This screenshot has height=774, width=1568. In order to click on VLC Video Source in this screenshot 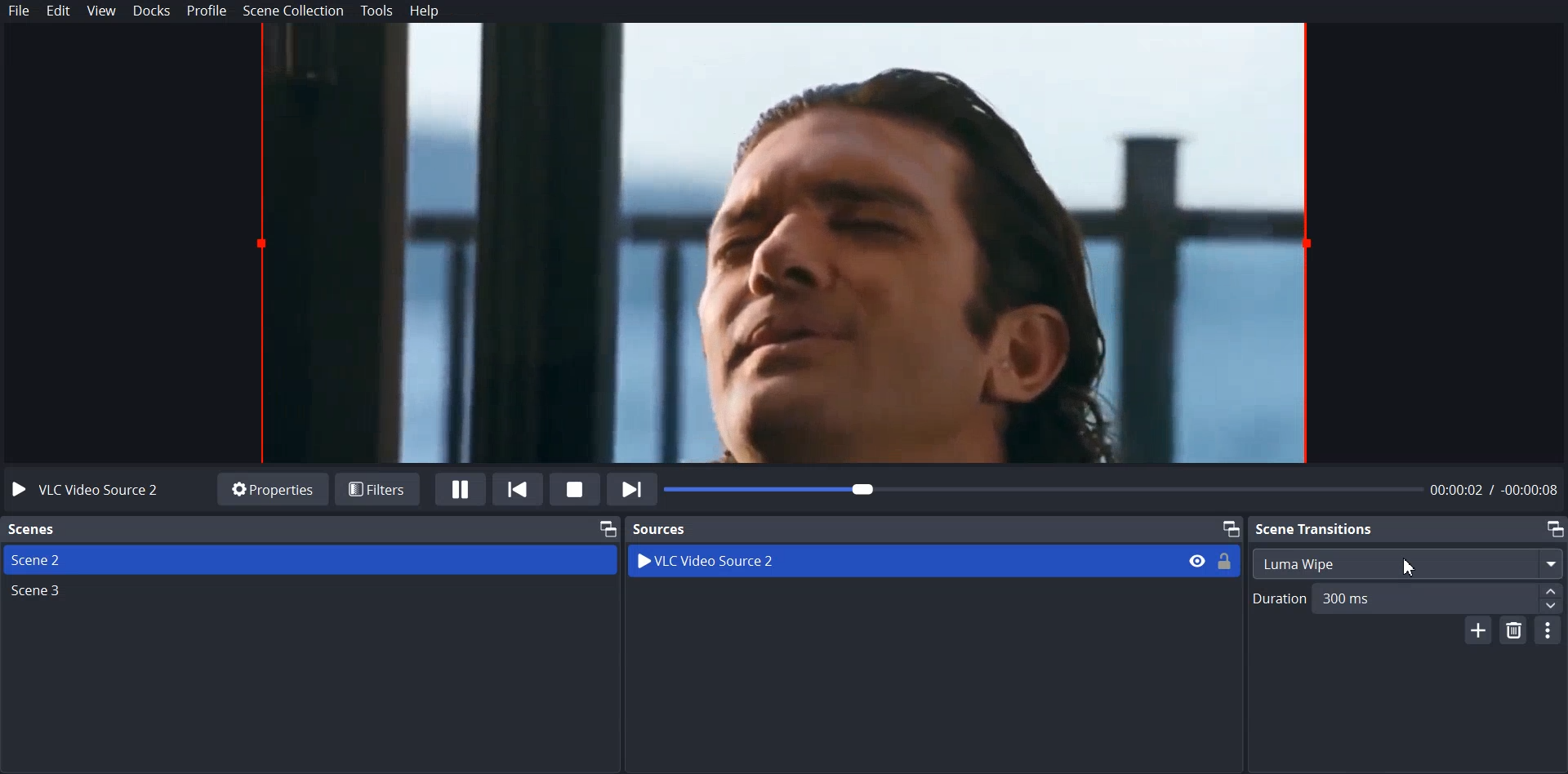, I will do `click(872, 561)`.